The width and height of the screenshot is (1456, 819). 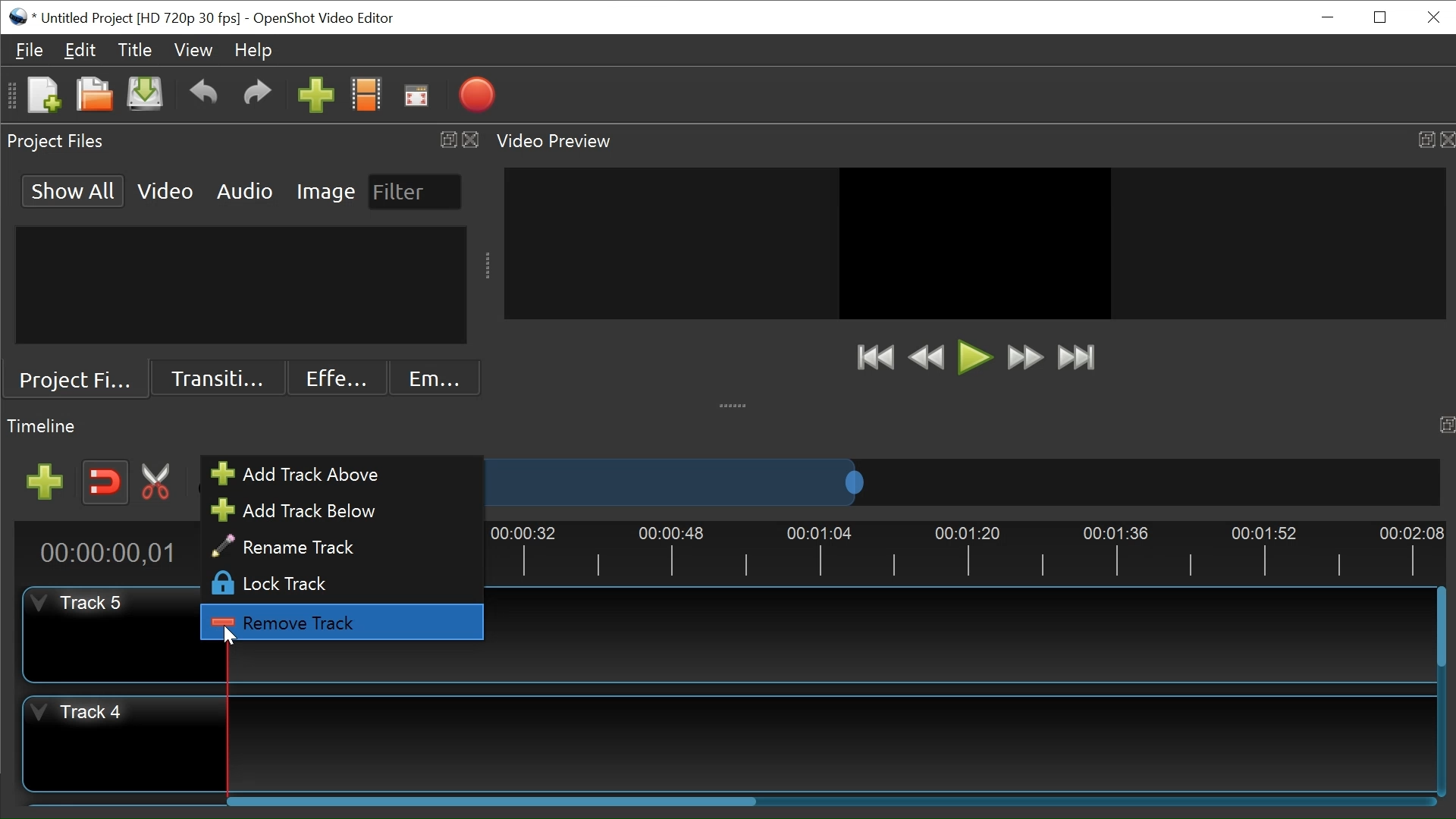 I want to click on Filter, so click(x=413, y=192).